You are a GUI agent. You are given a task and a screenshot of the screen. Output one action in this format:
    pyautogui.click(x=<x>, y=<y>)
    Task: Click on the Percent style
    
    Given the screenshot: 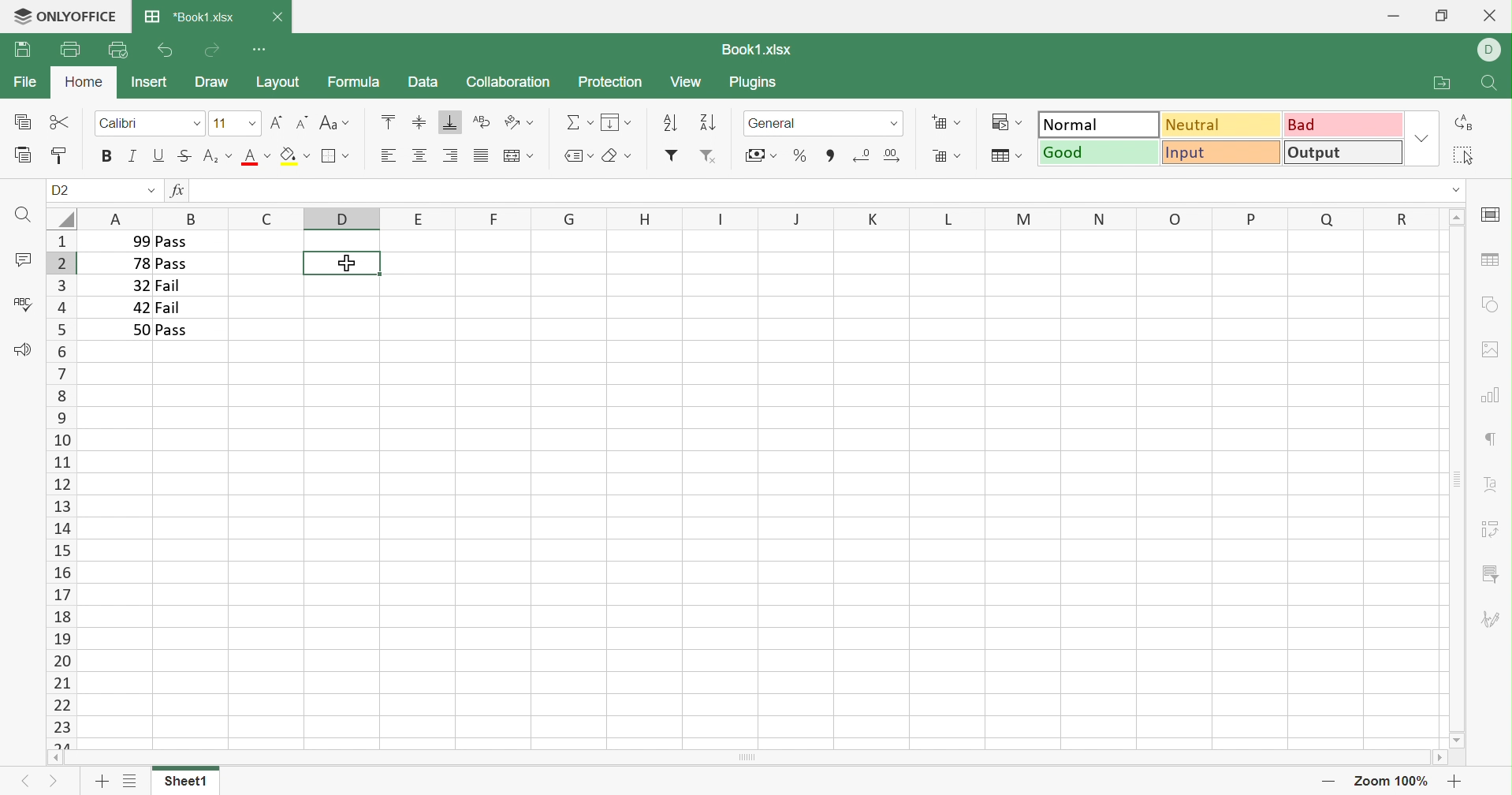 What is the action you would take?
    pyautogui.click(x=799, y=155)
    